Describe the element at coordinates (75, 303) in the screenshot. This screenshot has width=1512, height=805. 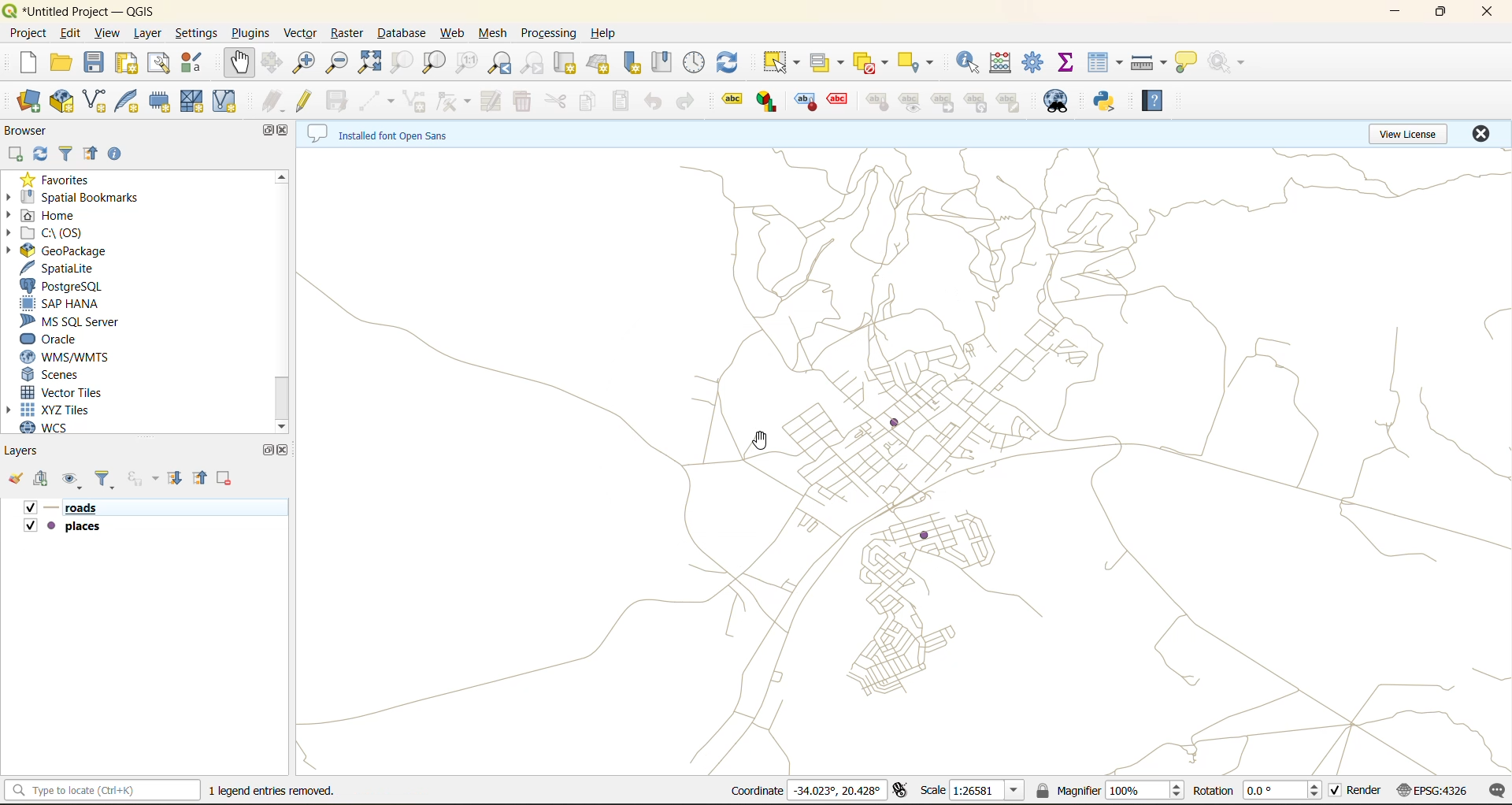
I see `sap hana` at that location.